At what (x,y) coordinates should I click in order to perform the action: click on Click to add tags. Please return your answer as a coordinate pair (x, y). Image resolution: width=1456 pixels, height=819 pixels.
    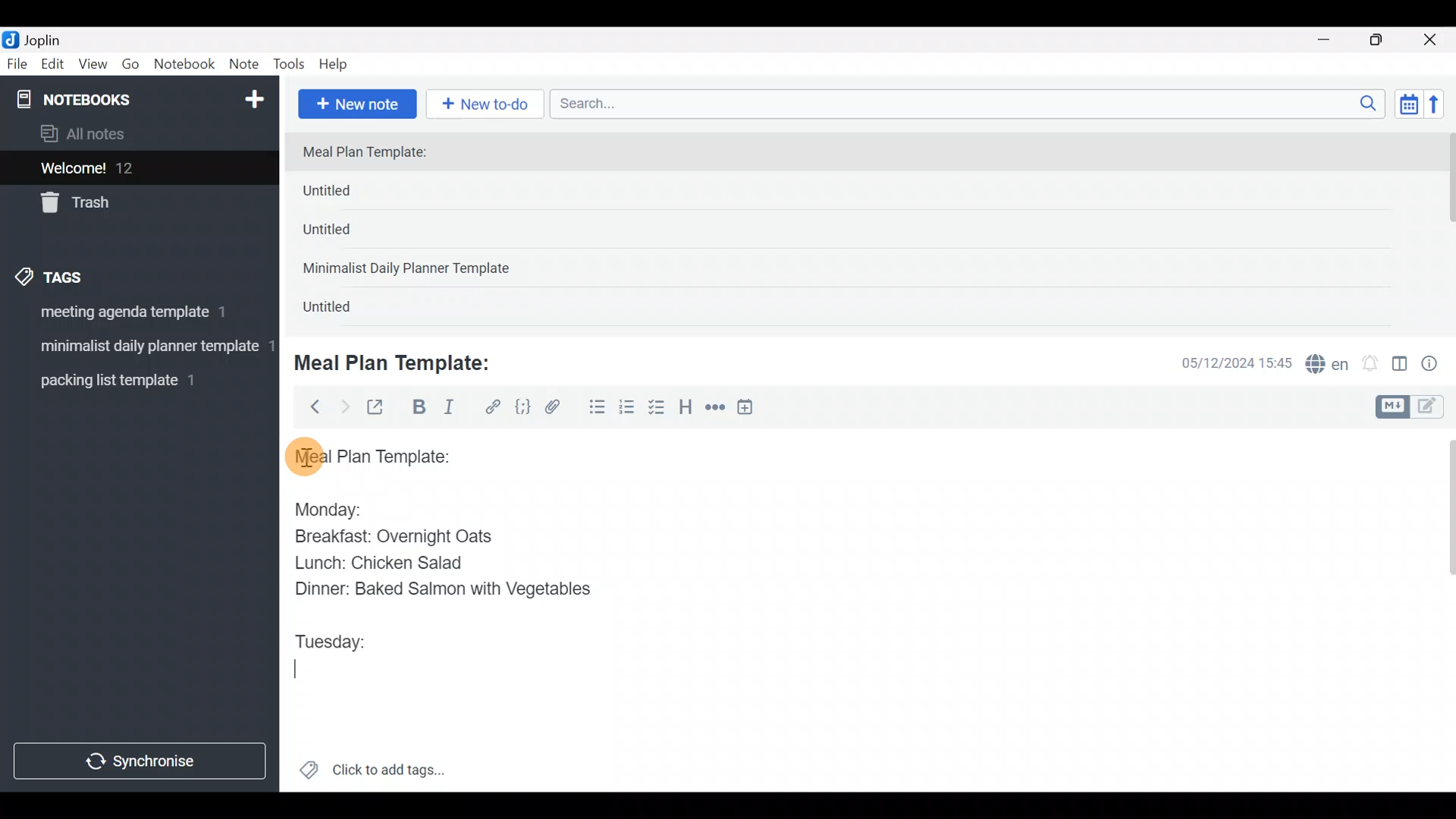
    Looking at the image, I should click on (372, 775).